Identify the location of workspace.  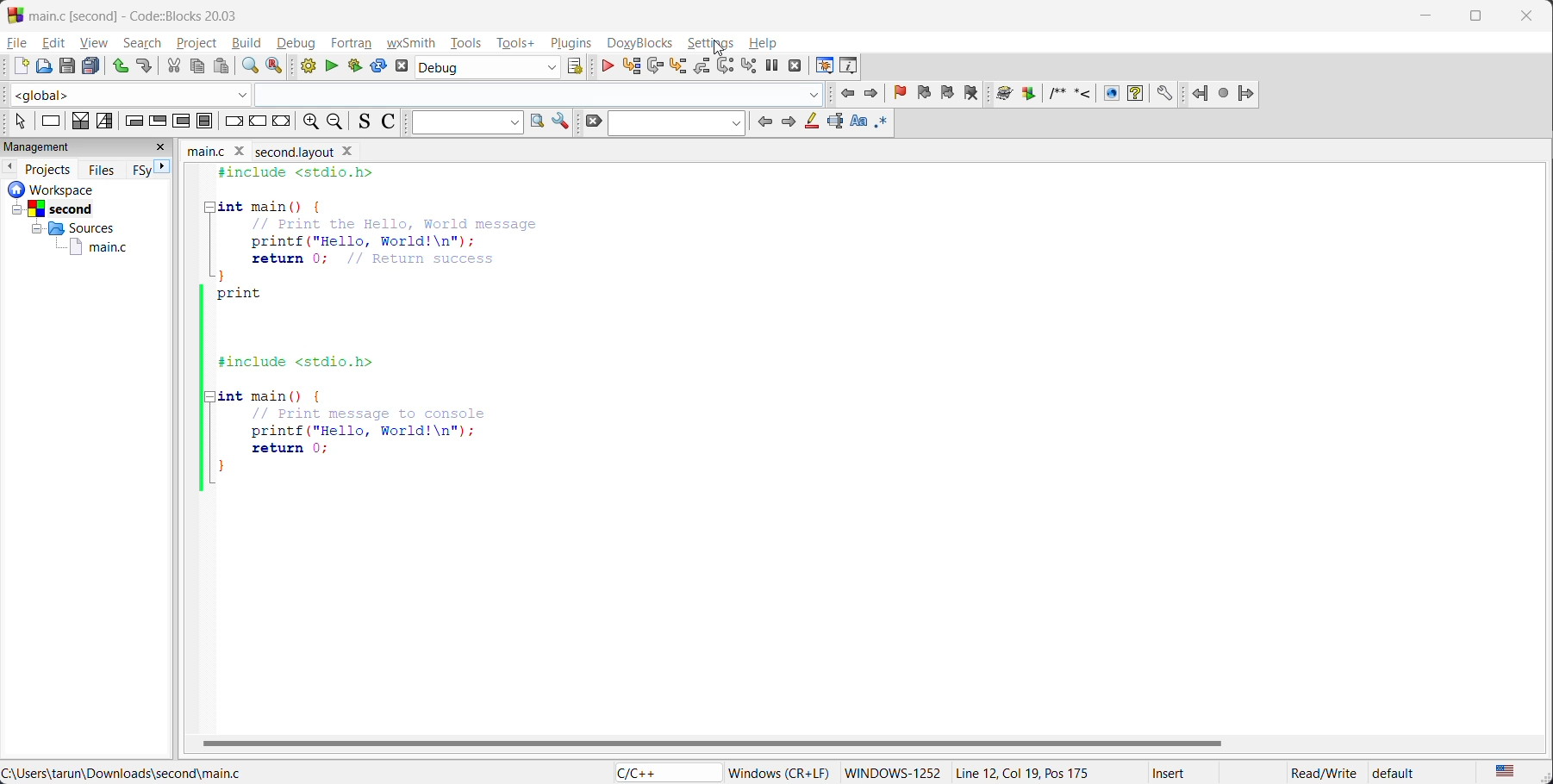
(47, 190).